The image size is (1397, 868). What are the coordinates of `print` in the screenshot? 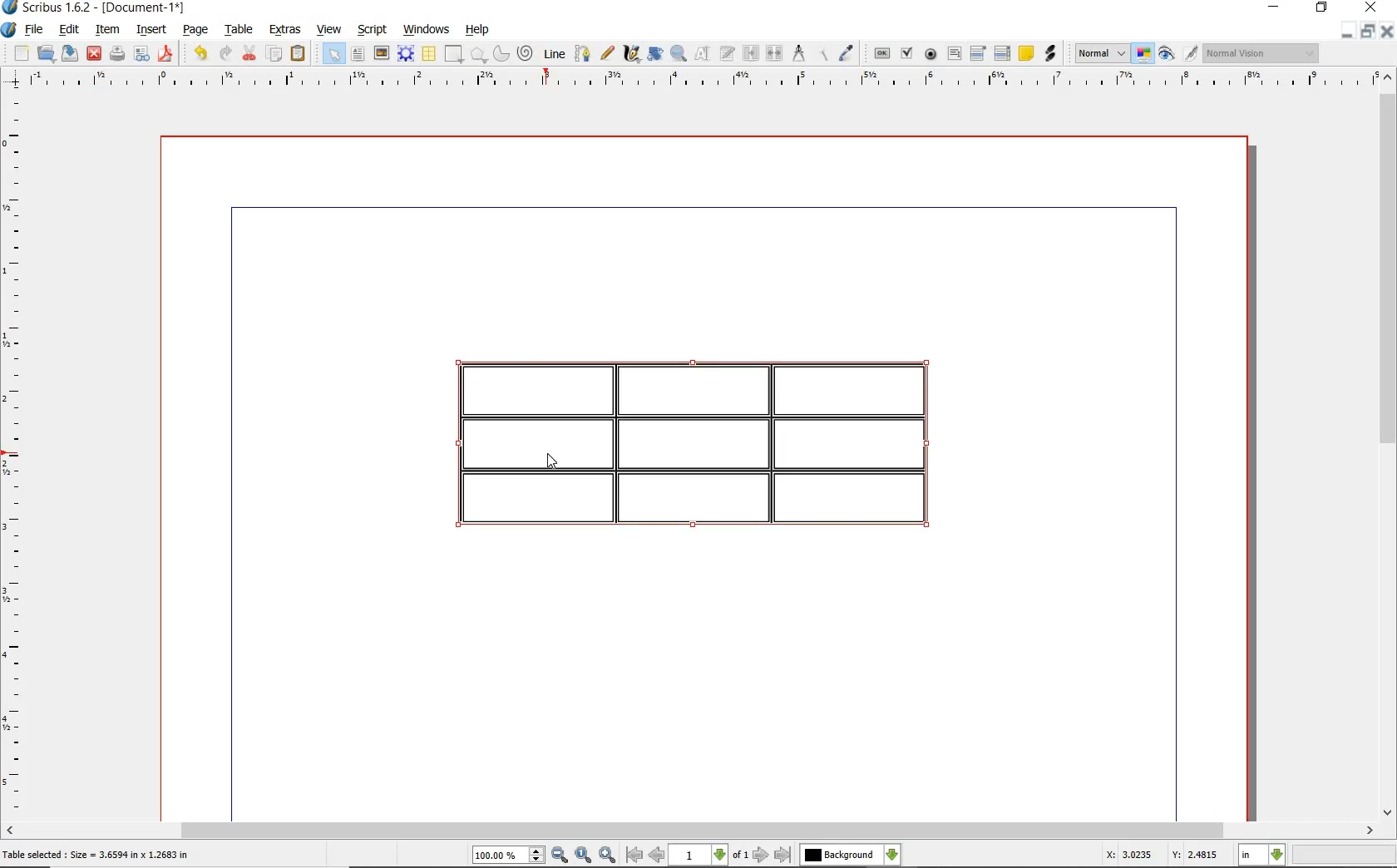 It's located at (118, 55).